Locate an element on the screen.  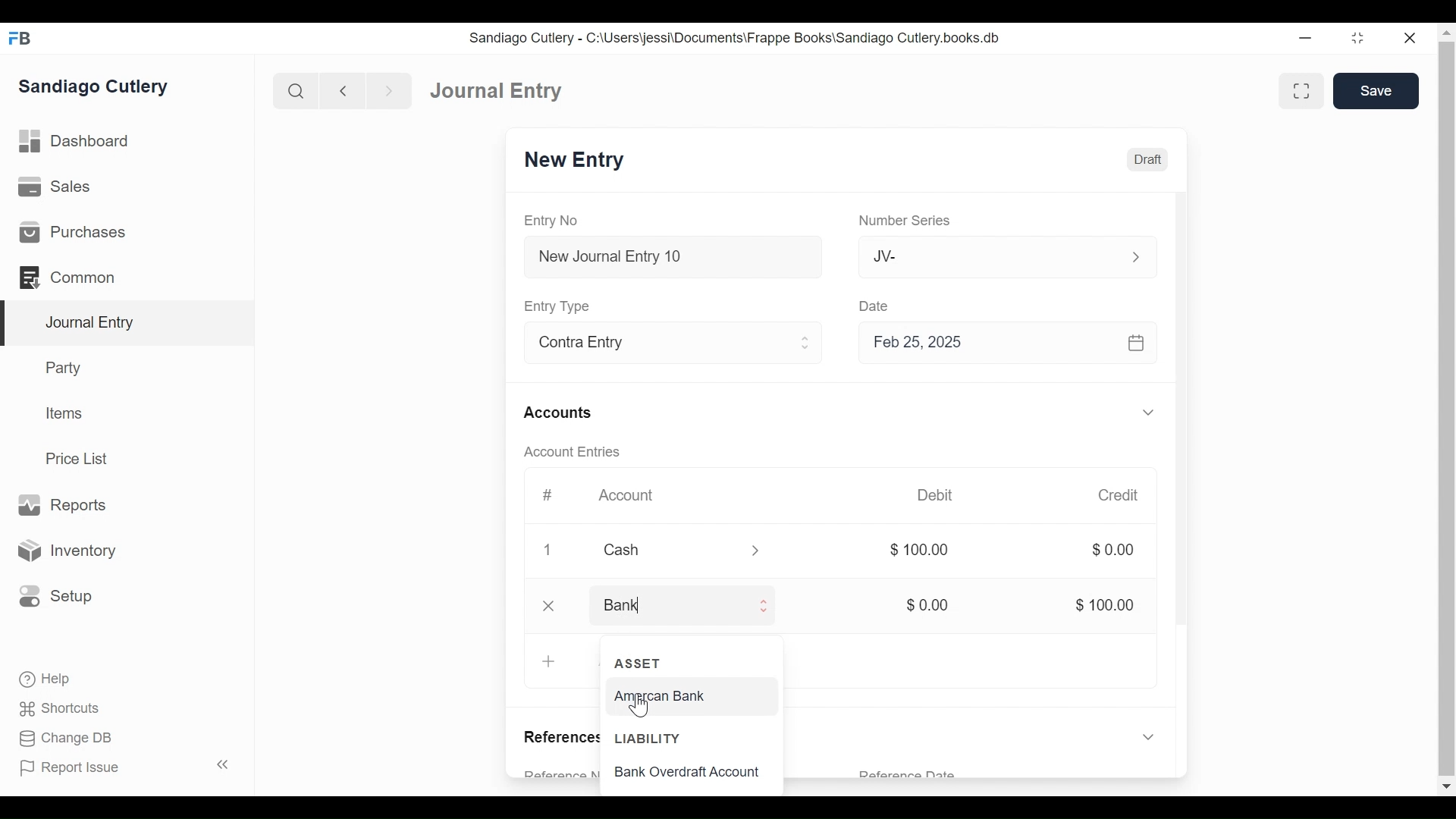
$100.00 is located at coordinates (1107, 604).